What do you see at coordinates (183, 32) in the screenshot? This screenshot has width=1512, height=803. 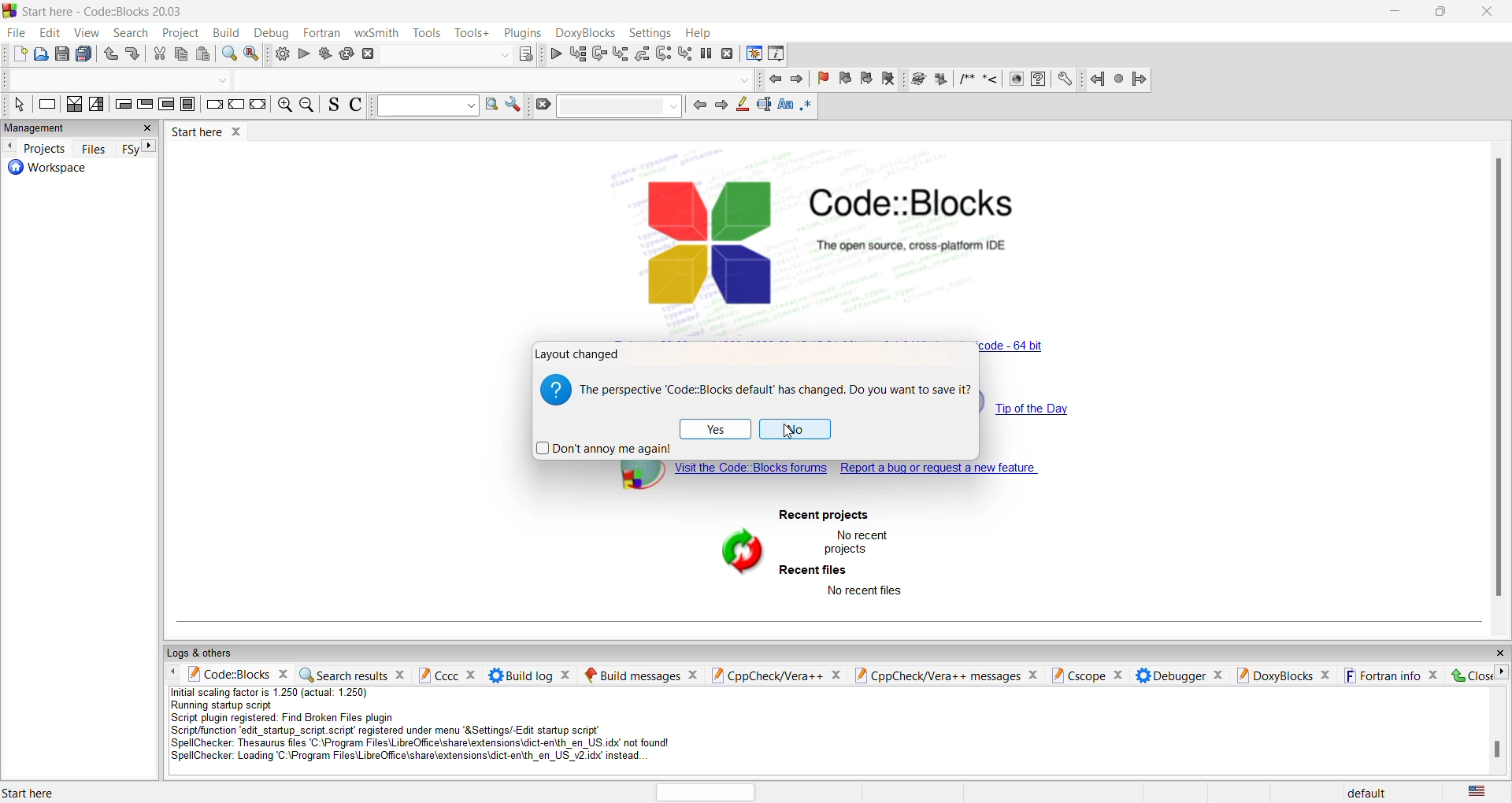 I see `project` at bounding box center [183, 32].